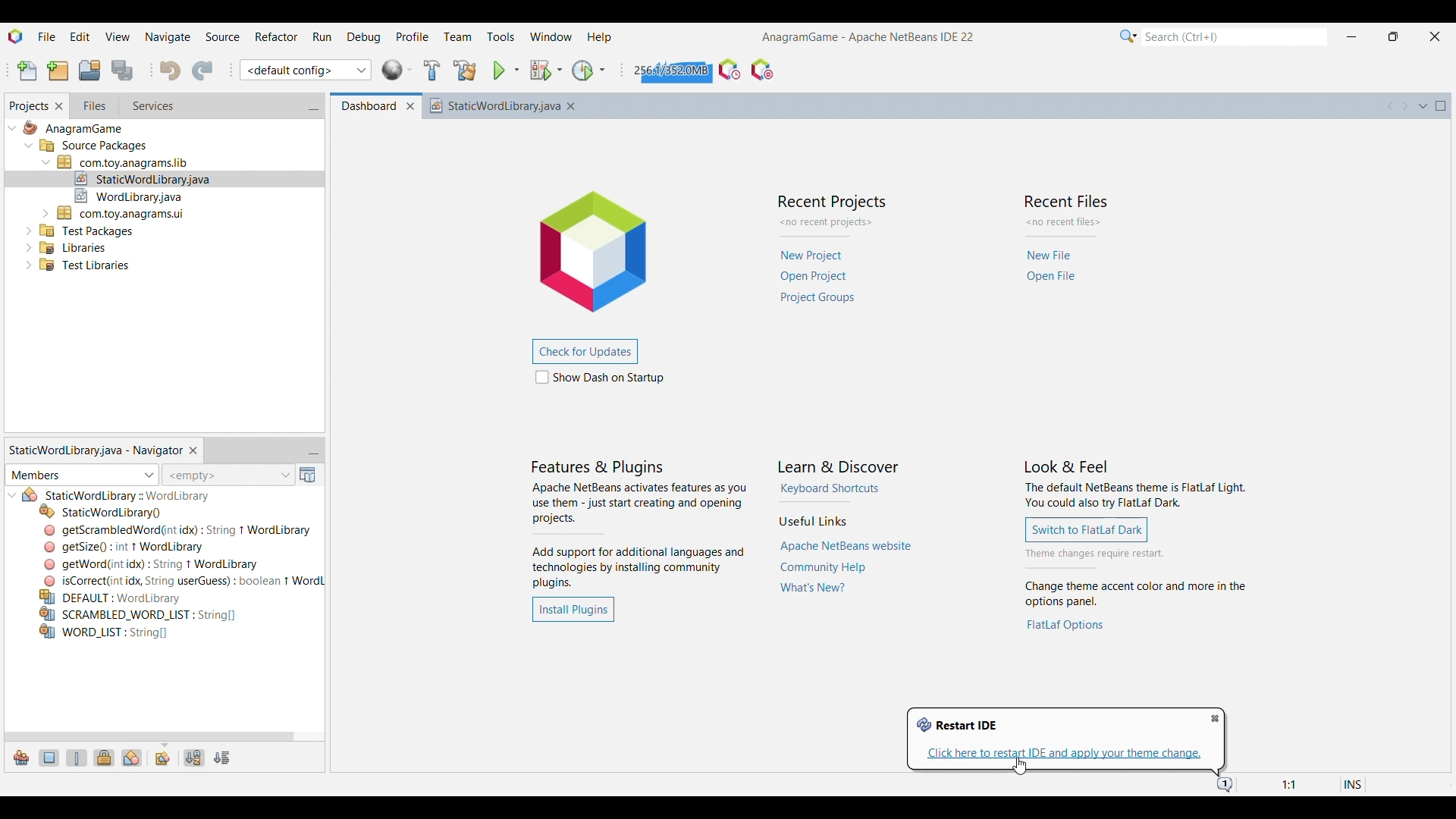 The image size is (1456, 819). What do you see at coordinates (957, 725) in the screenshot?
I see ` Restart IDE` at bounding box center [957, 725].